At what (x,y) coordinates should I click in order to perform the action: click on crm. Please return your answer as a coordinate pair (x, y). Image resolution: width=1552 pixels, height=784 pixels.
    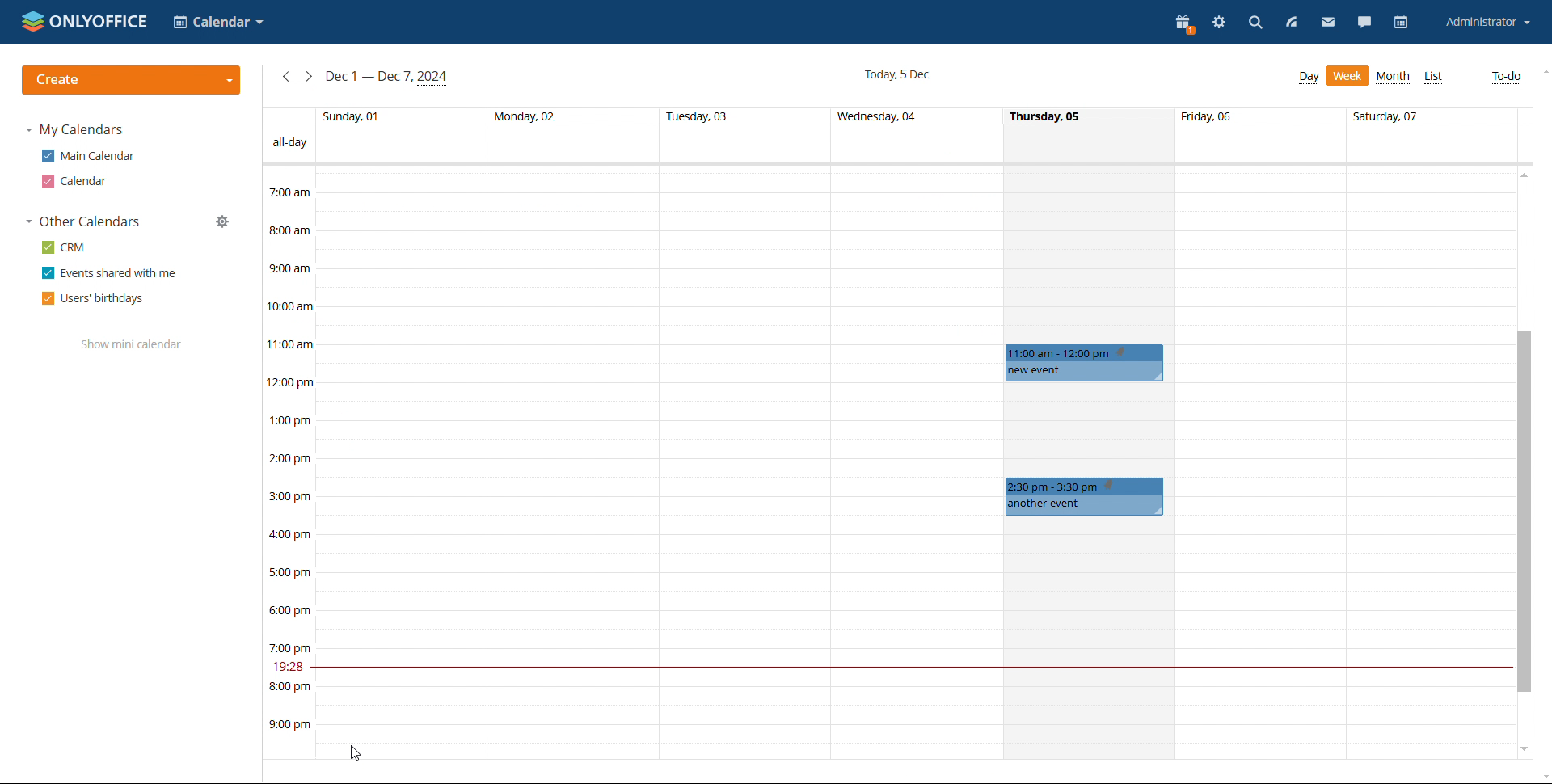
    Looking at the image, I should click on (62, 247).